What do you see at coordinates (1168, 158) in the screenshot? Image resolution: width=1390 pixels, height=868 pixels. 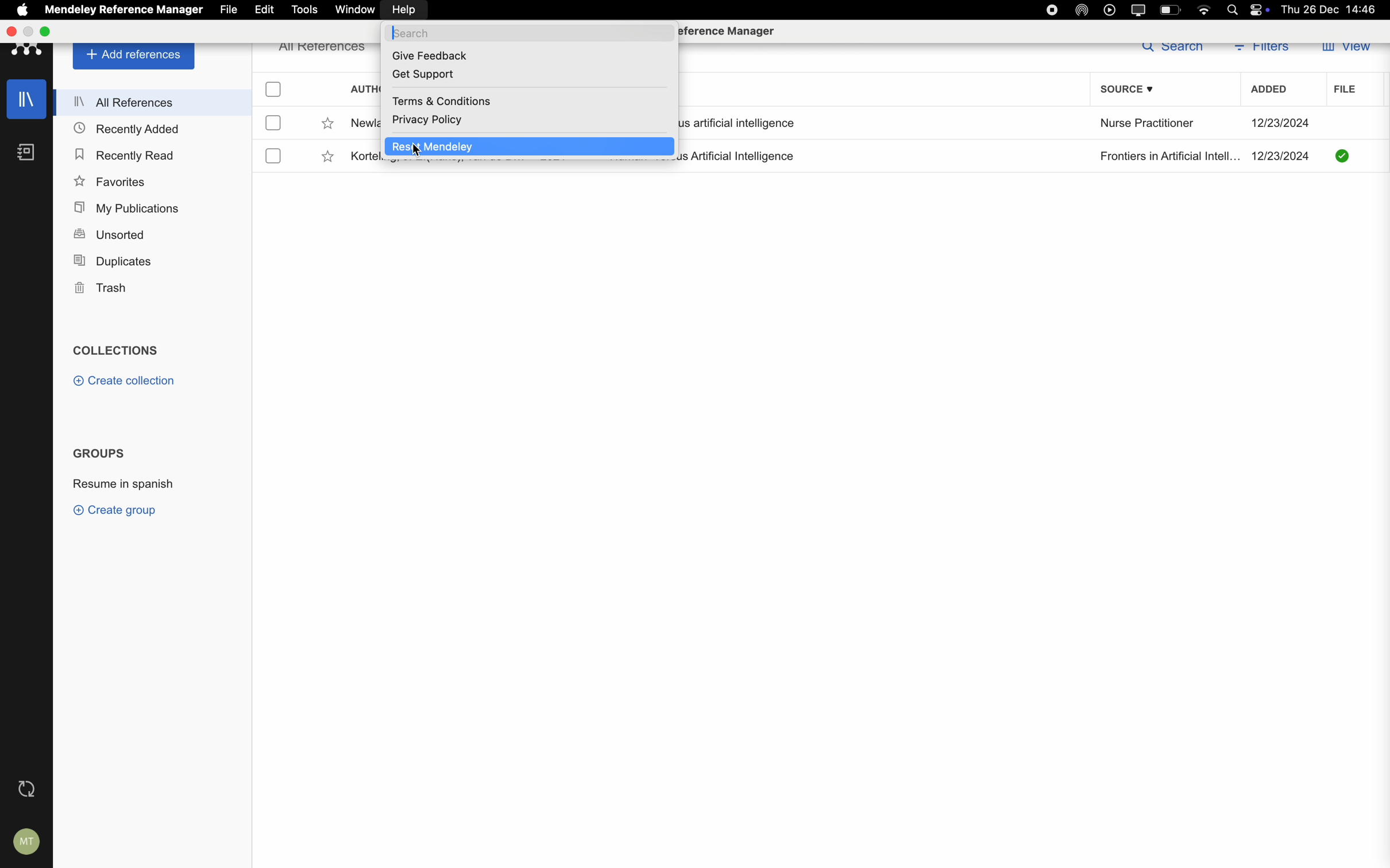 I see `Frontiers in Artificial Intell...` at bounding box center [1168, 158].